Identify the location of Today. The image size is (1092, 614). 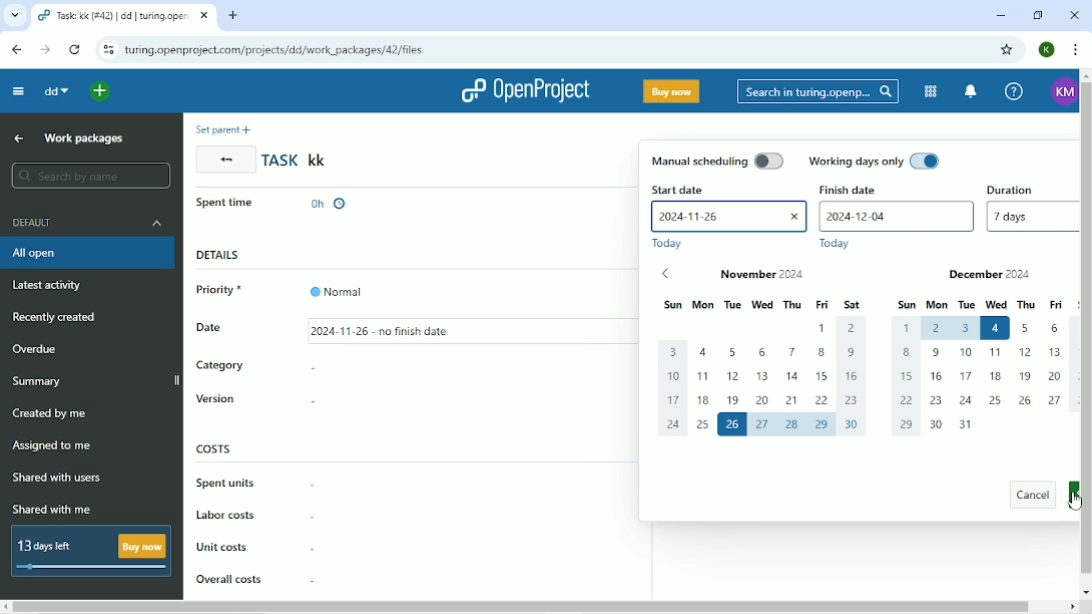
(674, 245).